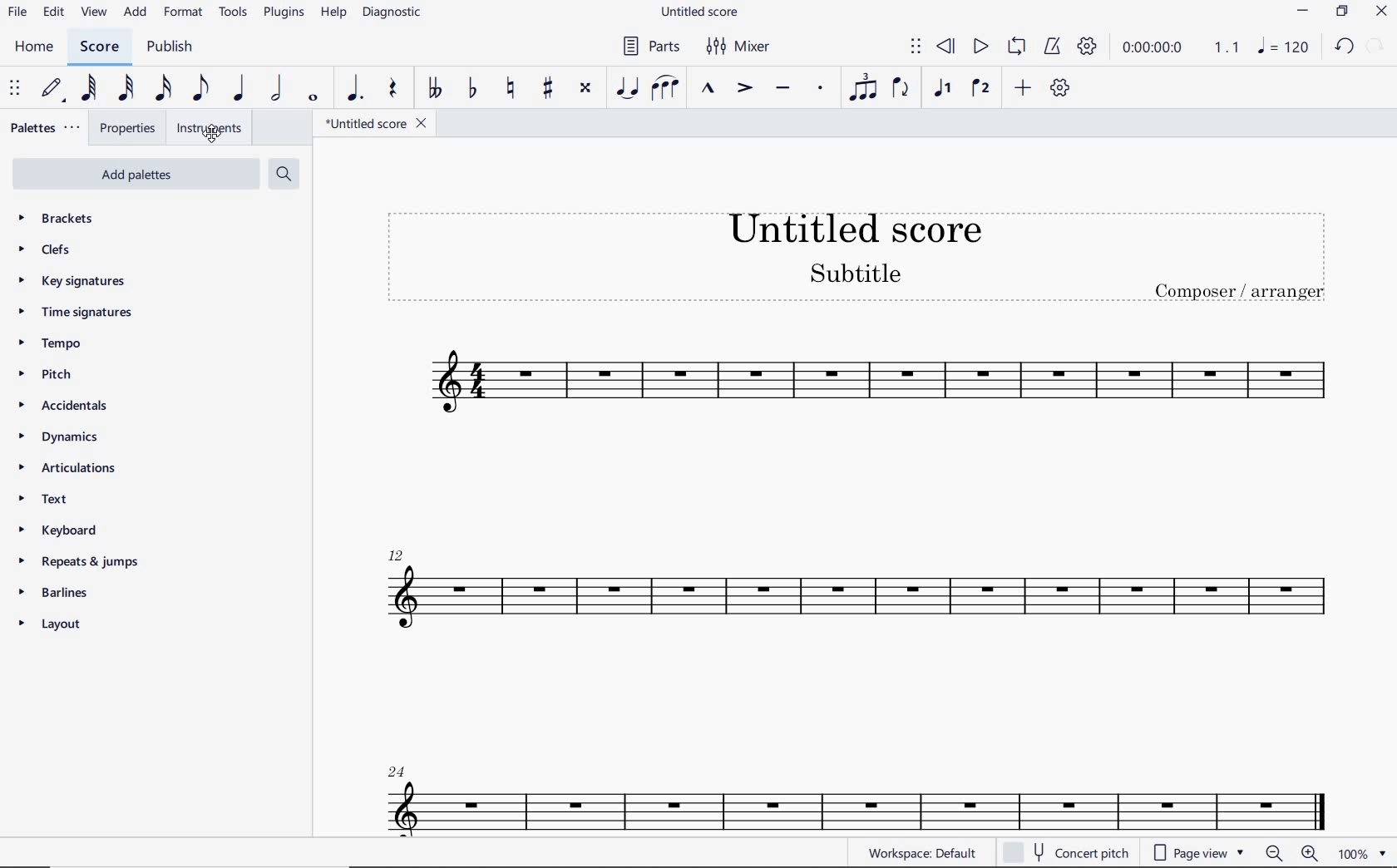 The height and width of the screenshot is (868, 1397). What do you see at coordinates (52, 89) in the screenshot?
I see `DEFAULT (STEP TIME)` at bounding box center [52, 89].